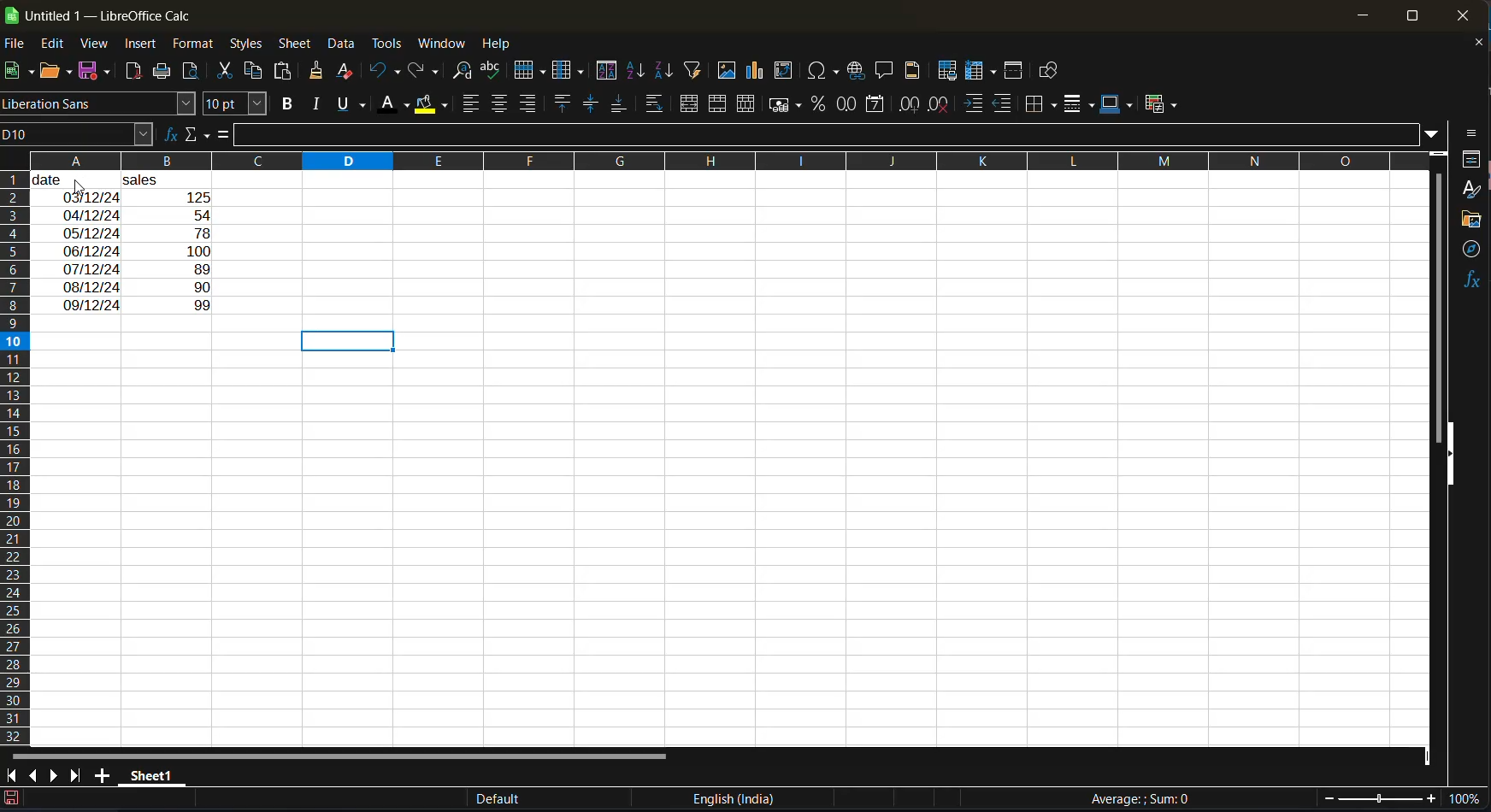  Describe the element at coordinates (852, 104) in the screenshot. I see `format as number` at that location.